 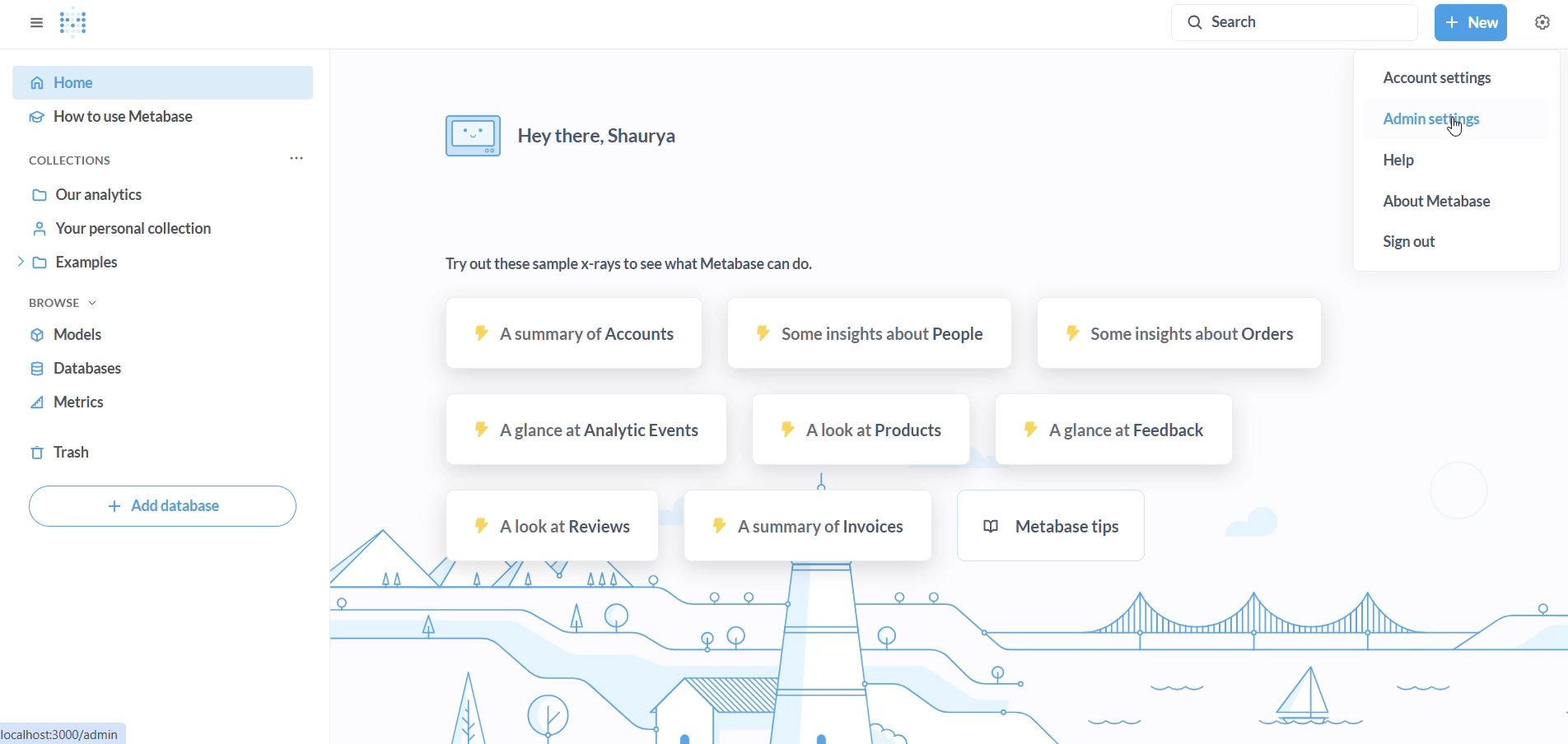 What do you see at coordinates (33, 21) in the screenshot?
I see `sidebar` at bounding box center [33, 21].